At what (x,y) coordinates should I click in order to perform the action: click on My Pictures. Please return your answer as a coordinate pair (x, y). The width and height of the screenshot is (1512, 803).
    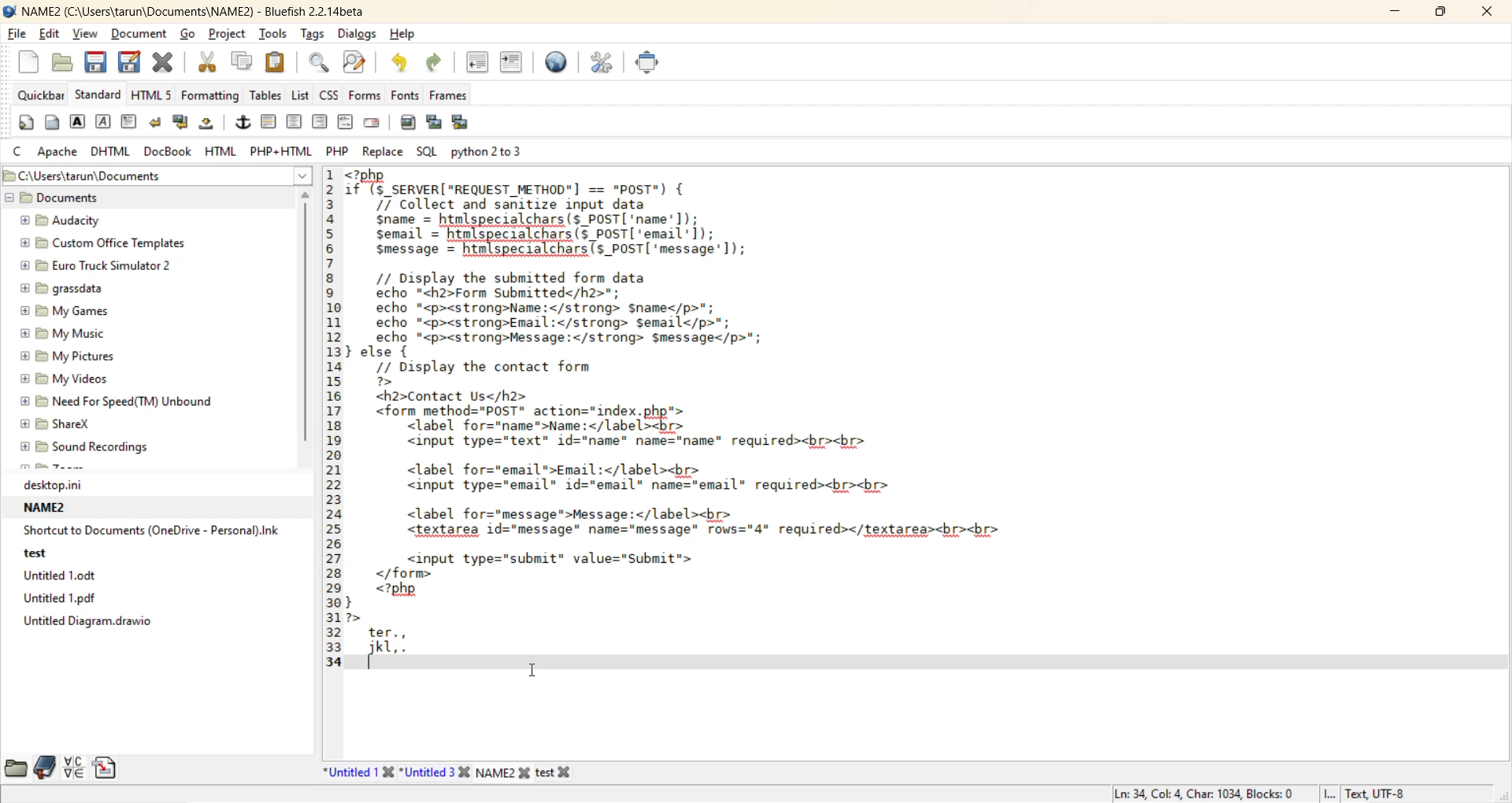
    Looking at the image, I should click on (72, 356).